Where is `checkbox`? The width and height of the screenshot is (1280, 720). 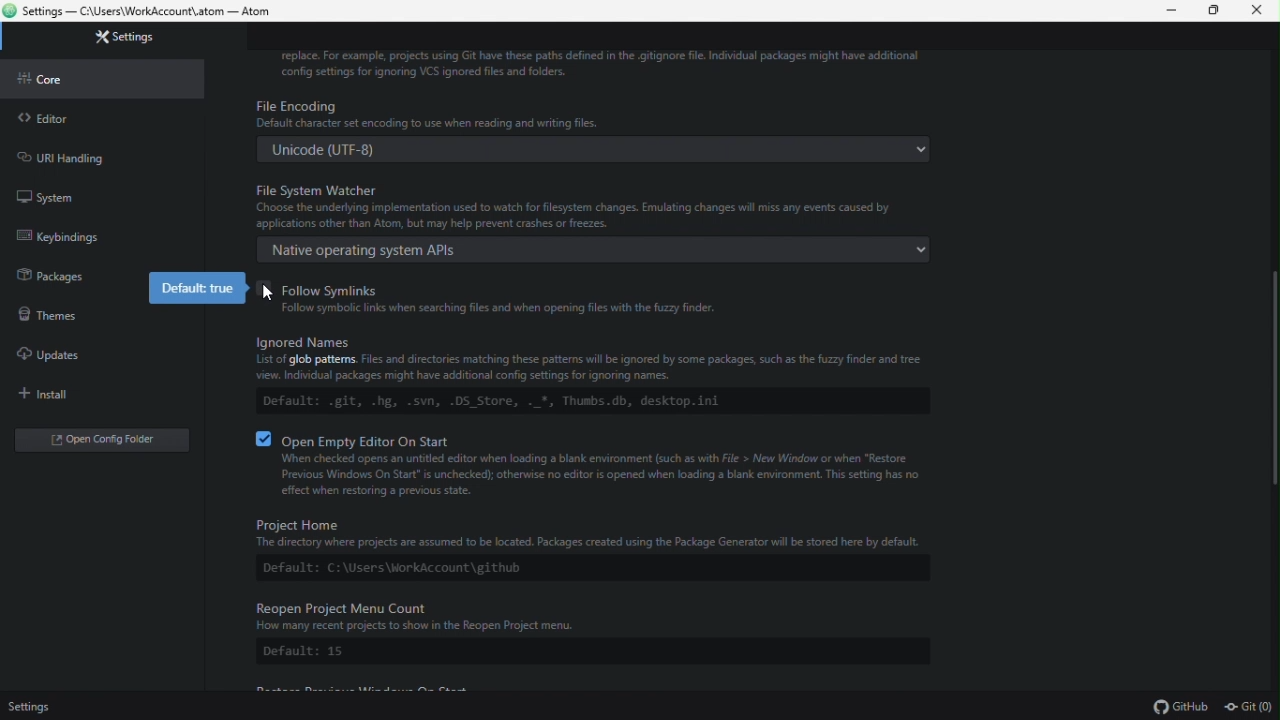
checkbox is located at coordinates (265, 439).